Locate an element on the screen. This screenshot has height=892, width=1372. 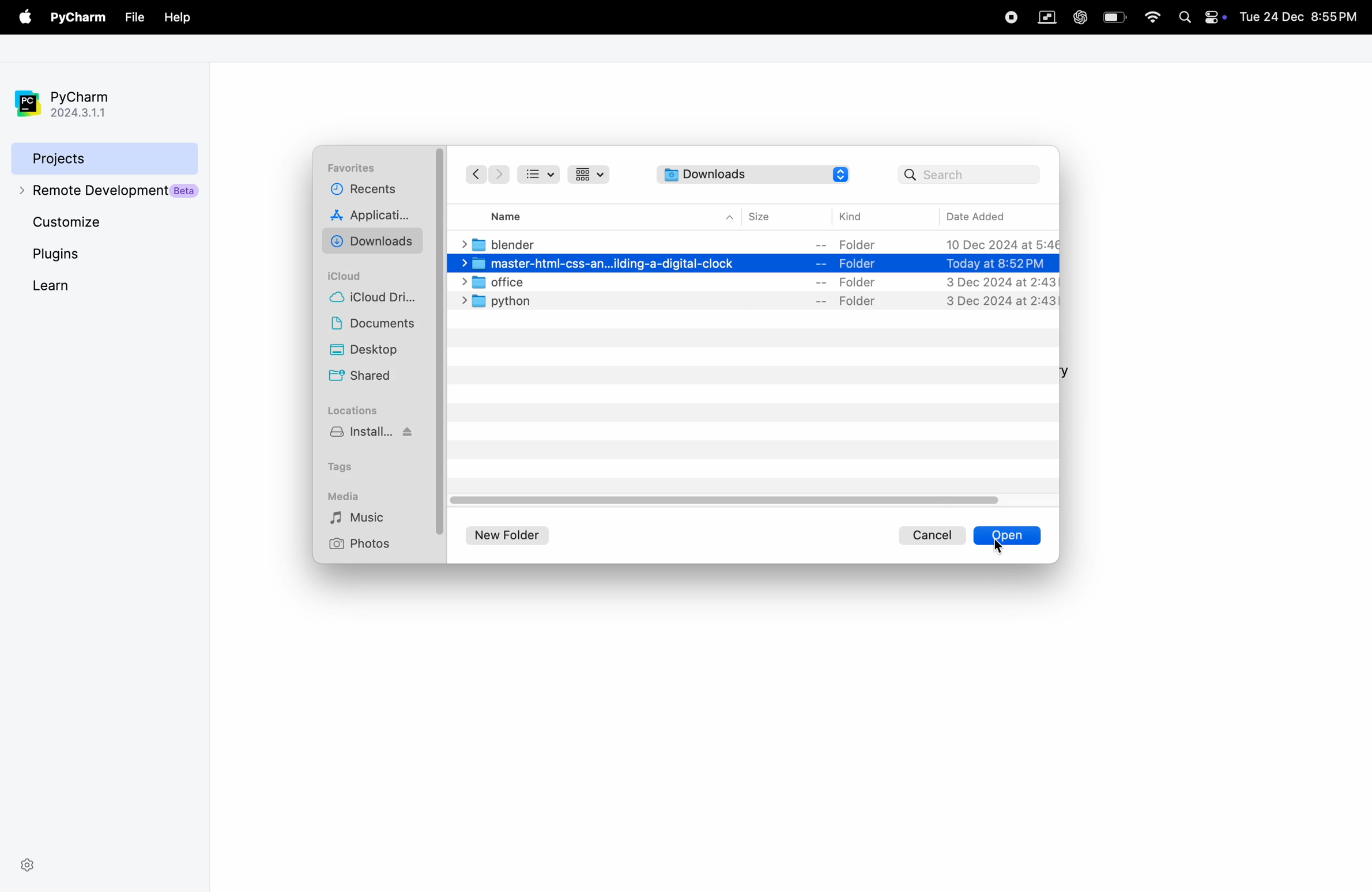
photos is located at coordinates (364, 543).